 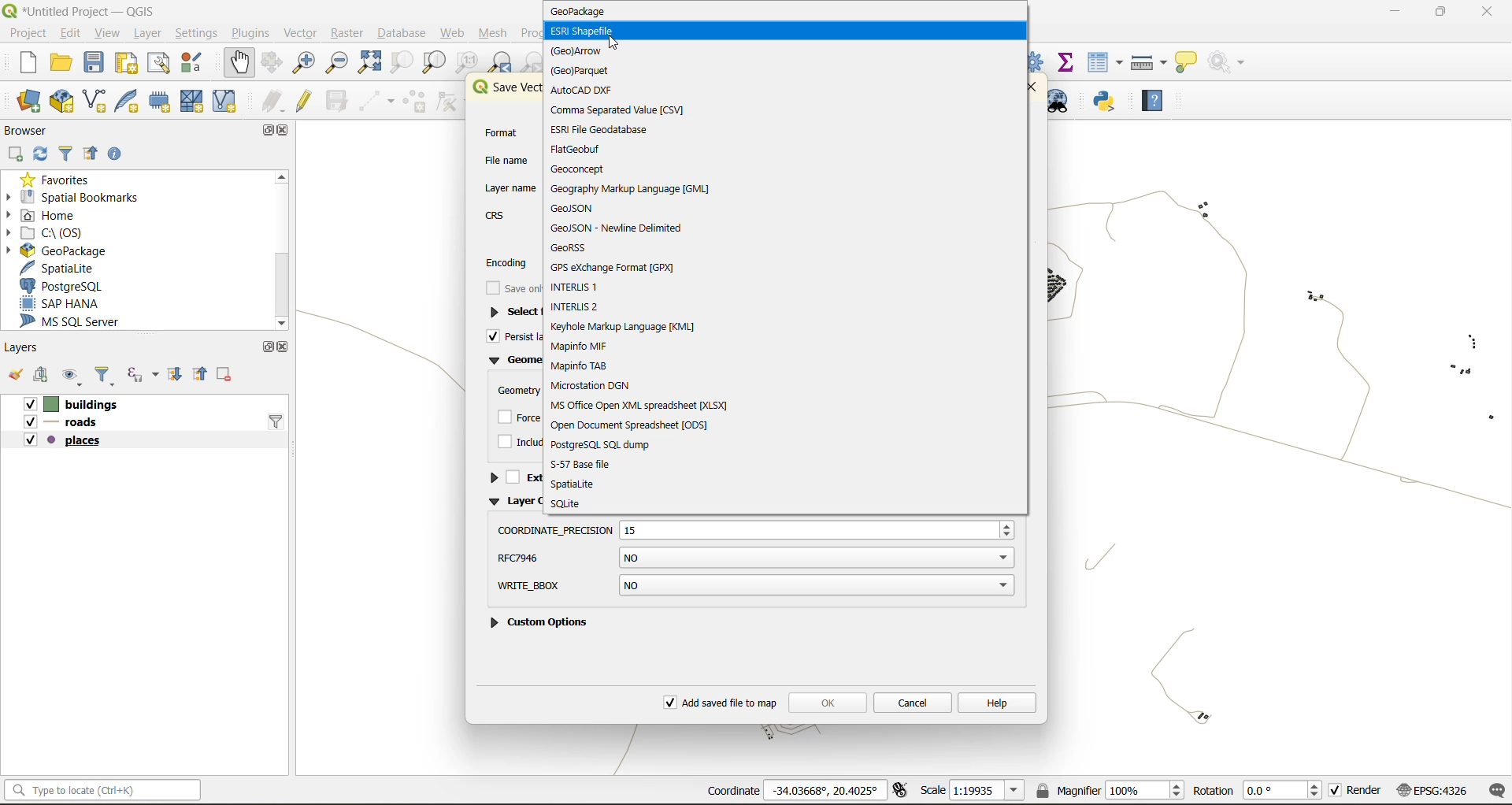 What do you see at coordinates (198, 65) in the screenshot?
I see `style manager` at bounding box center [198, 65].